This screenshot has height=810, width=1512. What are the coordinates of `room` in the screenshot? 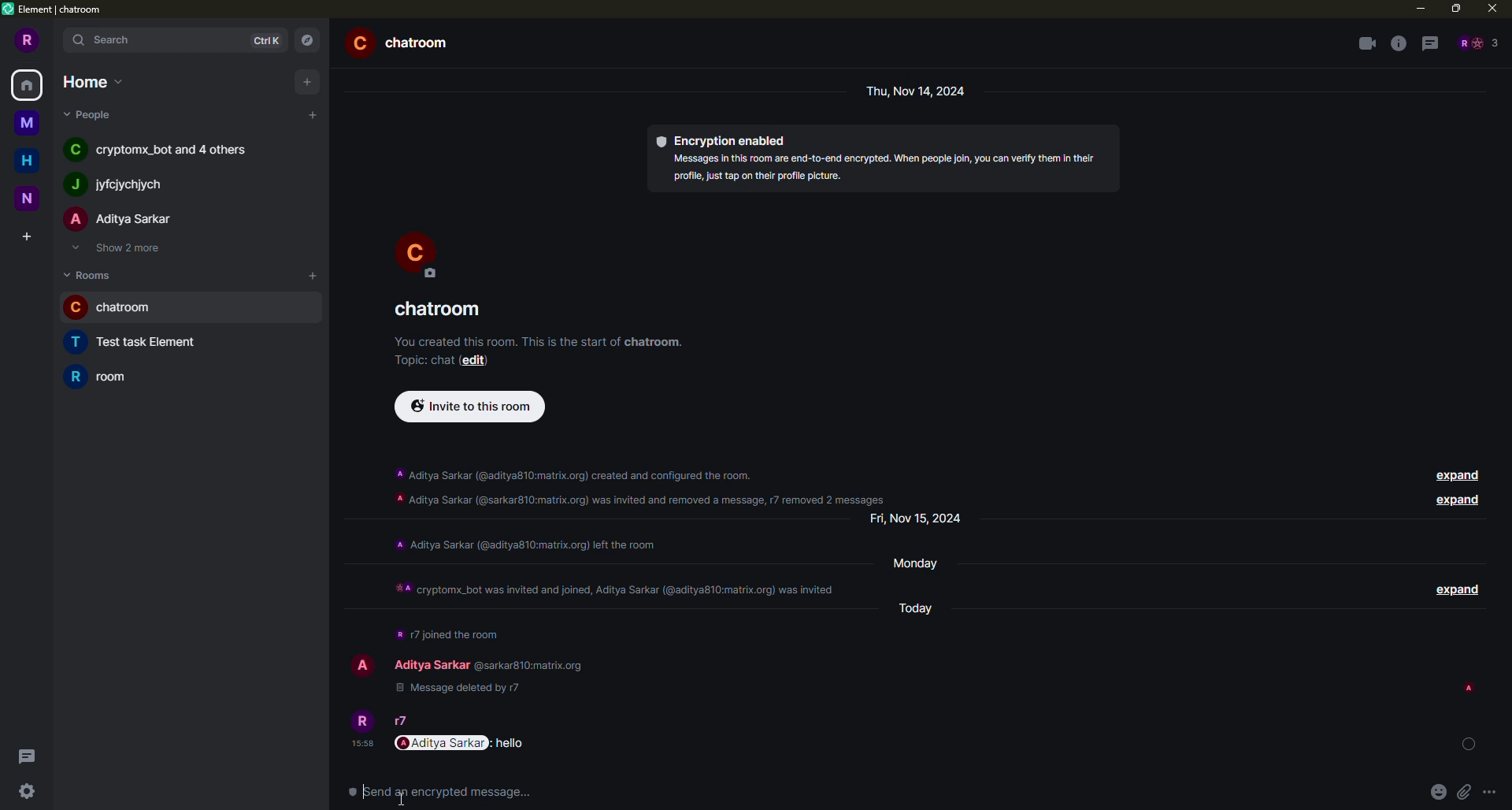 It's located at (143, 343).